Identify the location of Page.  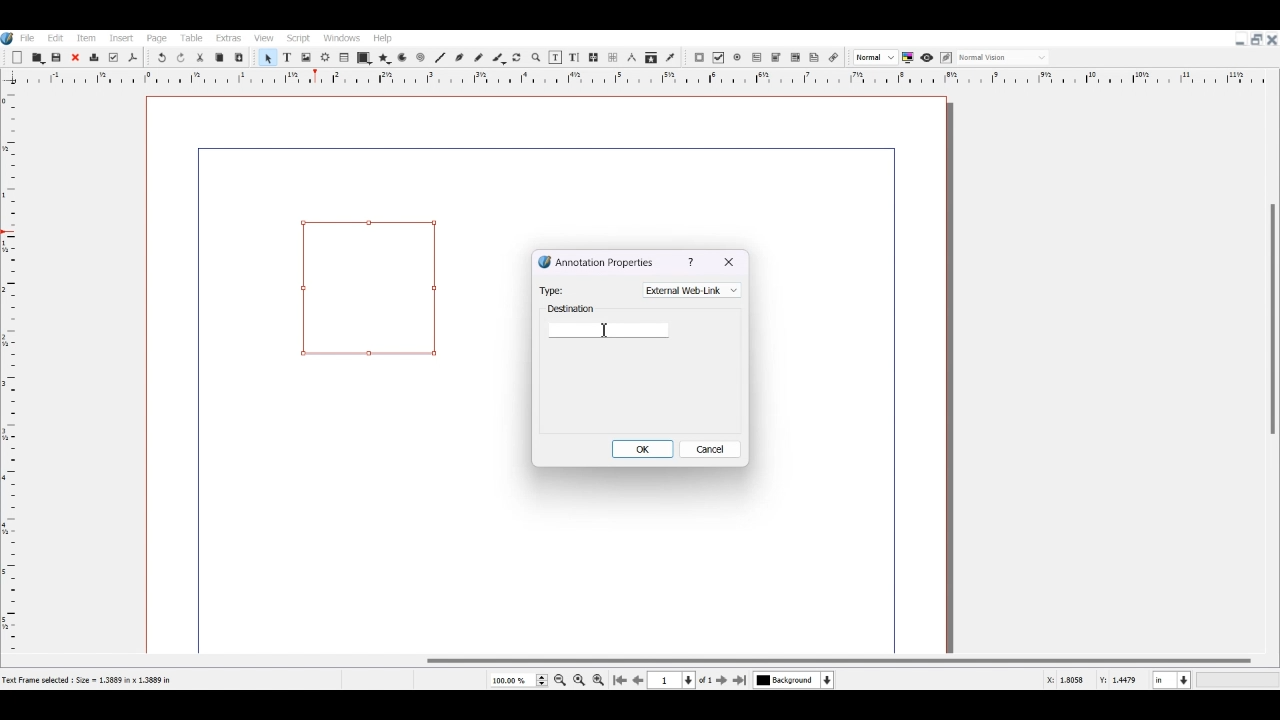
(157, 38).